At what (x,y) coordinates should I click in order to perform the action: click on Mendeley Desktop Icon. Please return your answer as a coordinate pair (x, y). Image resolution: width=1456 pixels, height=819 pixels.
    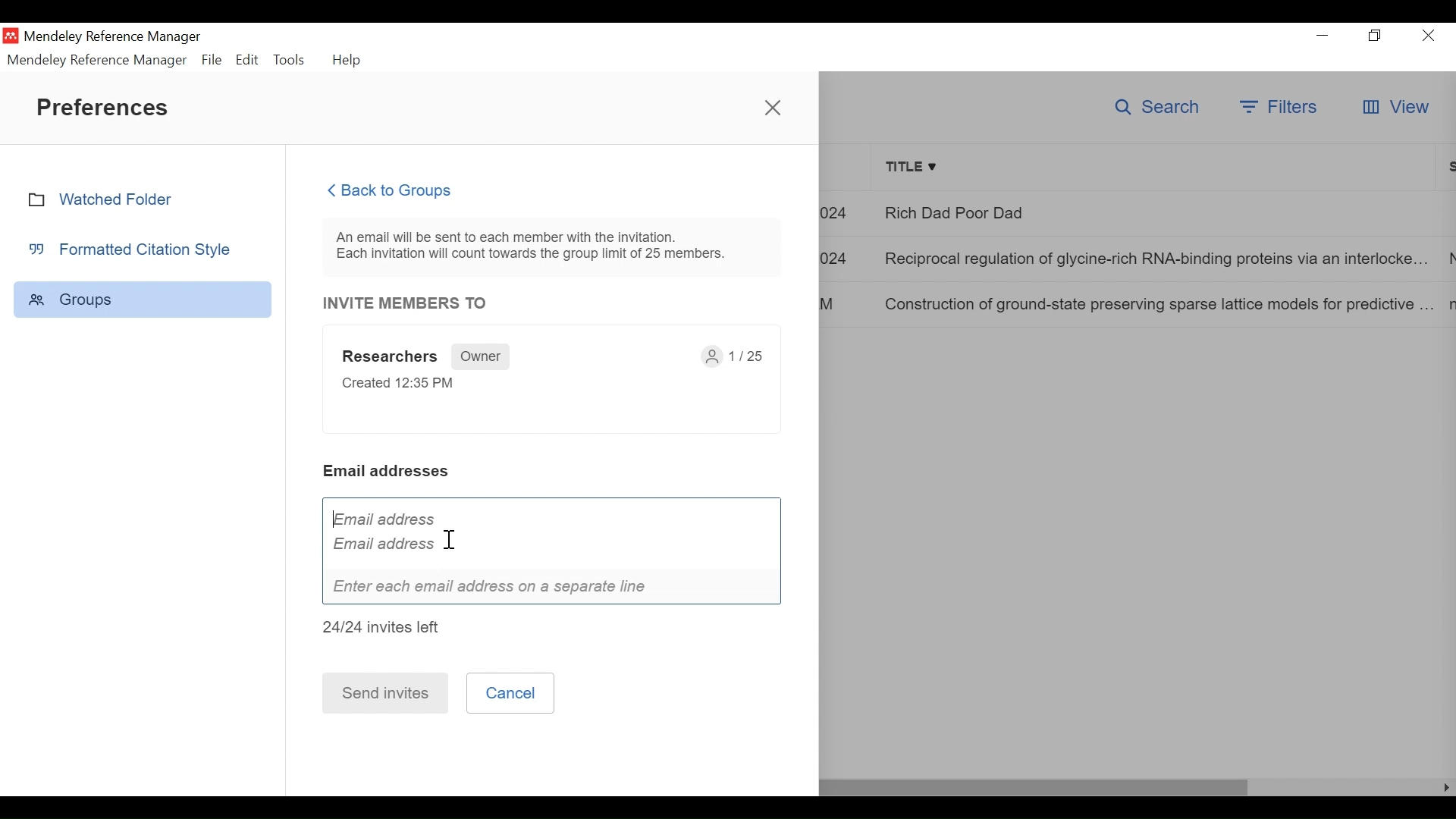
    Looking at the image, I should click on (11, 36).